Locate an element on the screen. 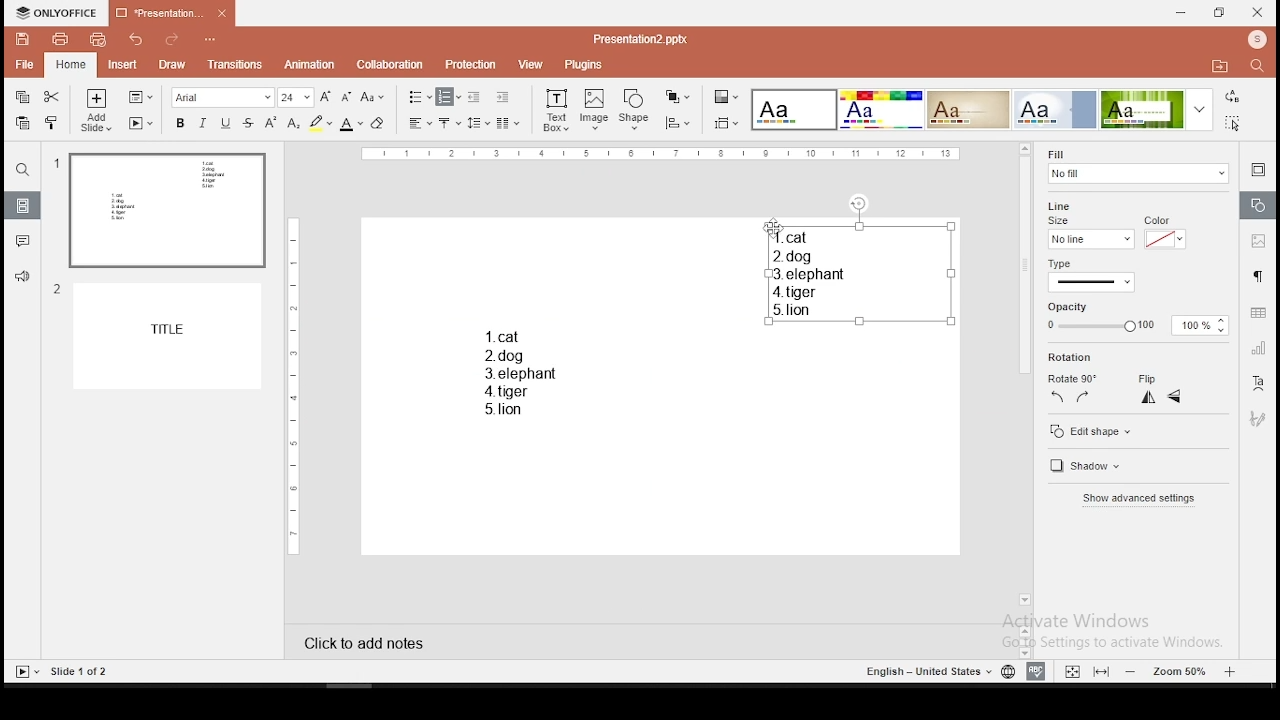  edit shape is located at coordinates (1137, 429).